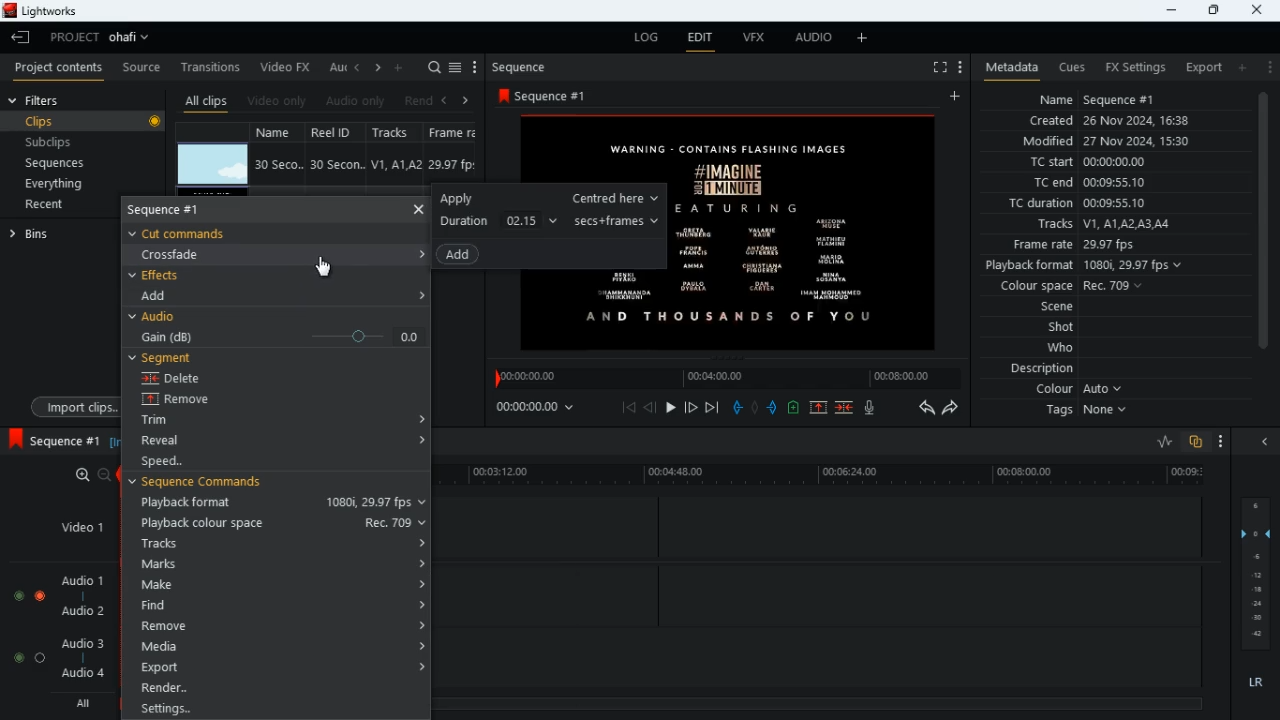  What do you see at coordinates (466, 100) in the screenshot?
I see `right` at bounding box center [466, 100].